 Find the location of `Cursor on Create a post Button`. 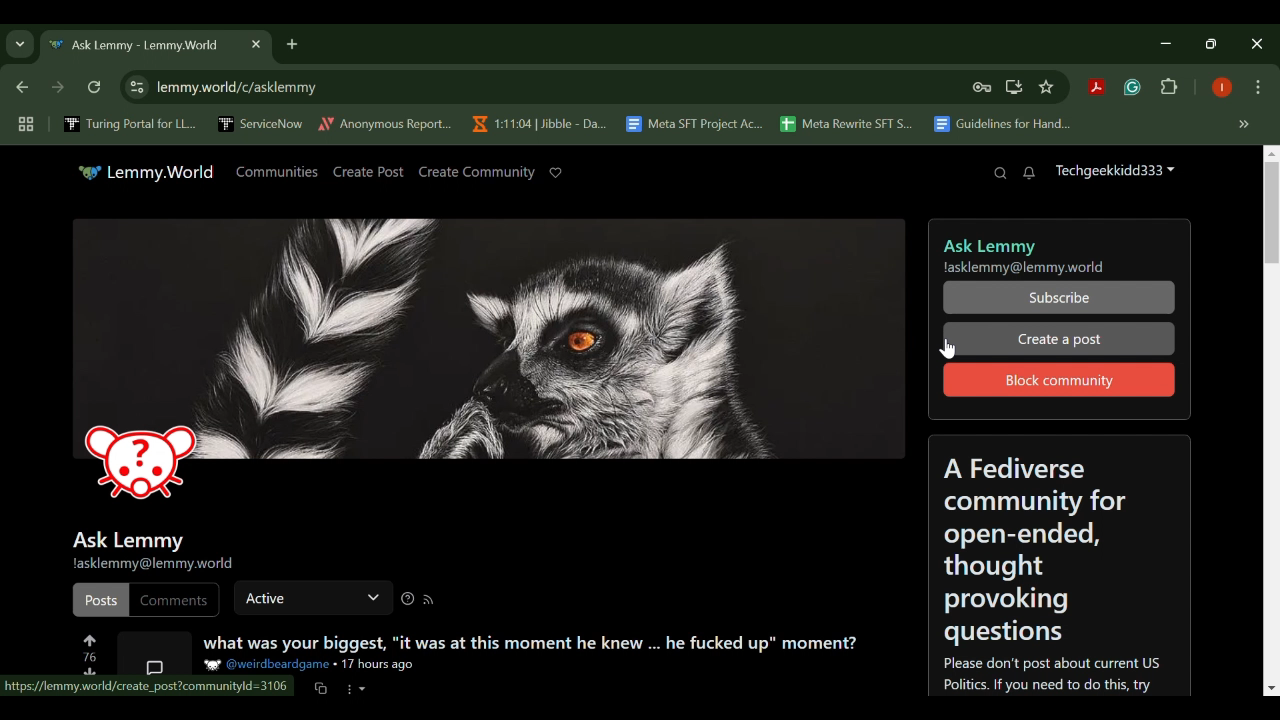

Cursor on Create a post Button is located at coordinates (1058, 339).